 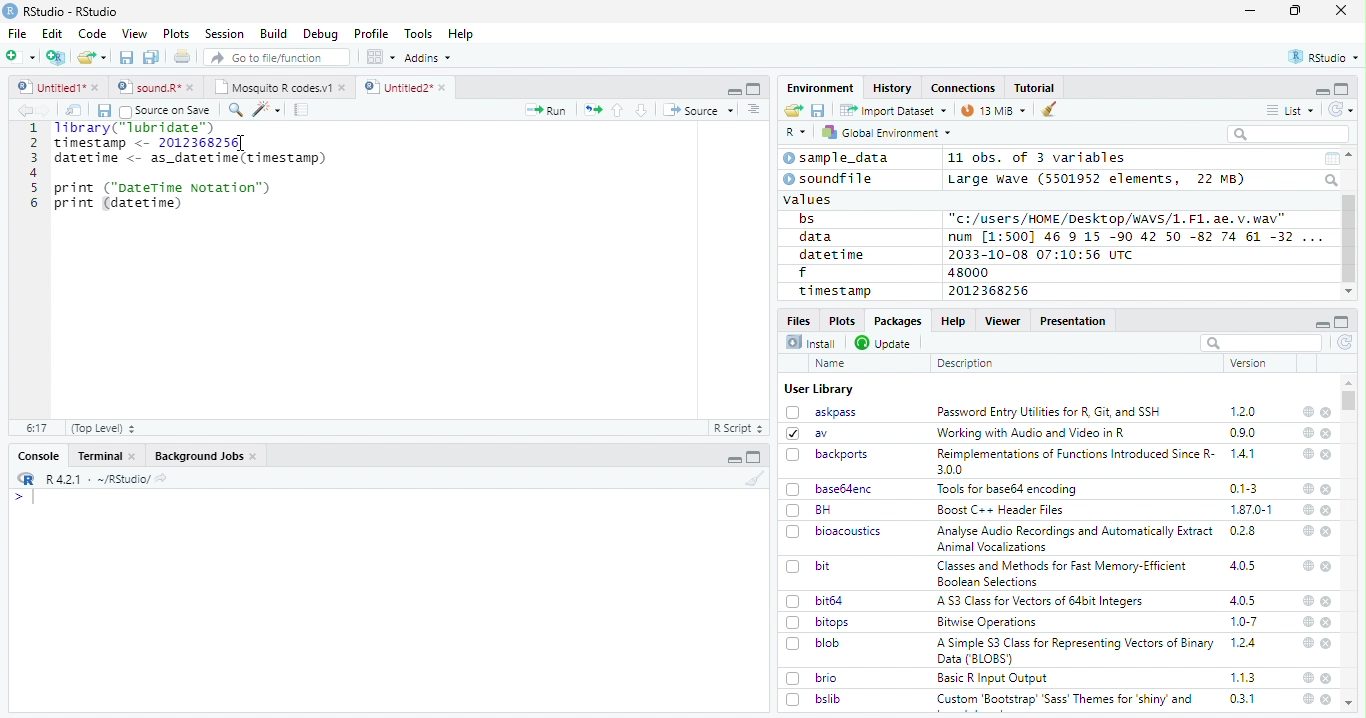 What do you see at coordinates (428, 58) in the screenshot?
I see `Addins` at bounding box center [428, 58].